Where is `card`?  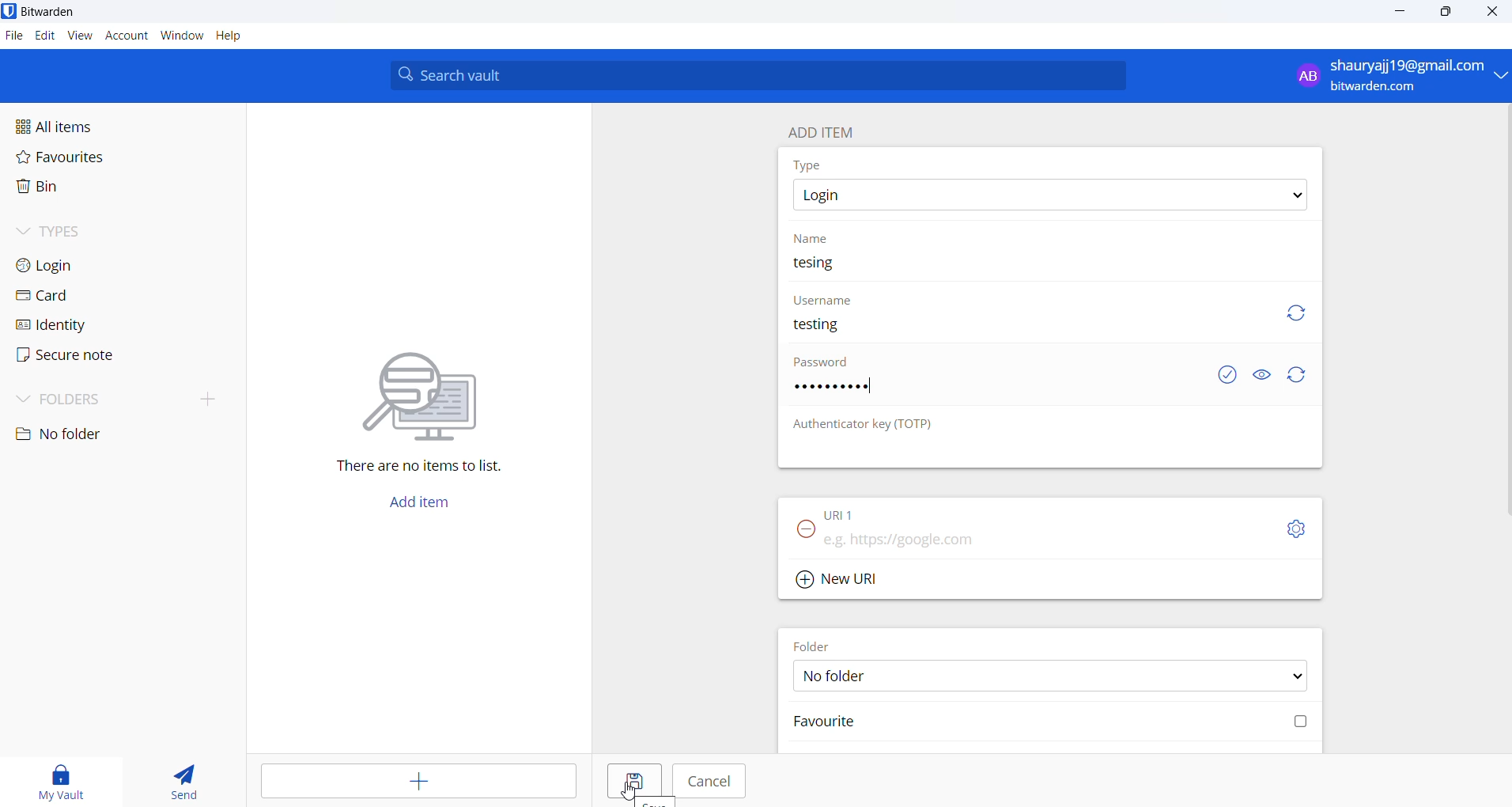
card is located at coordinates (63, 297).